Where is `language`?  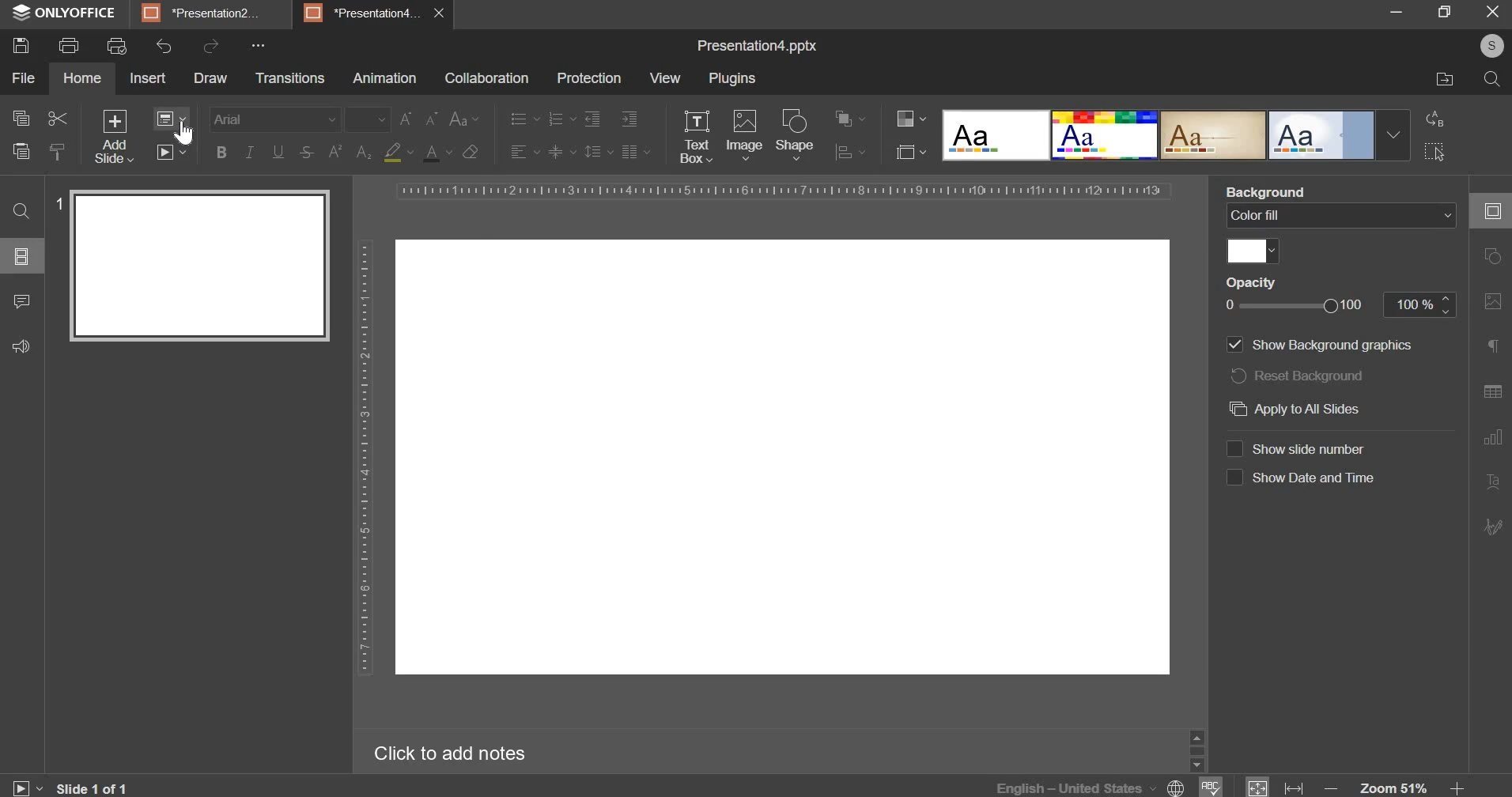
language is located at coordinates (1093, 786).